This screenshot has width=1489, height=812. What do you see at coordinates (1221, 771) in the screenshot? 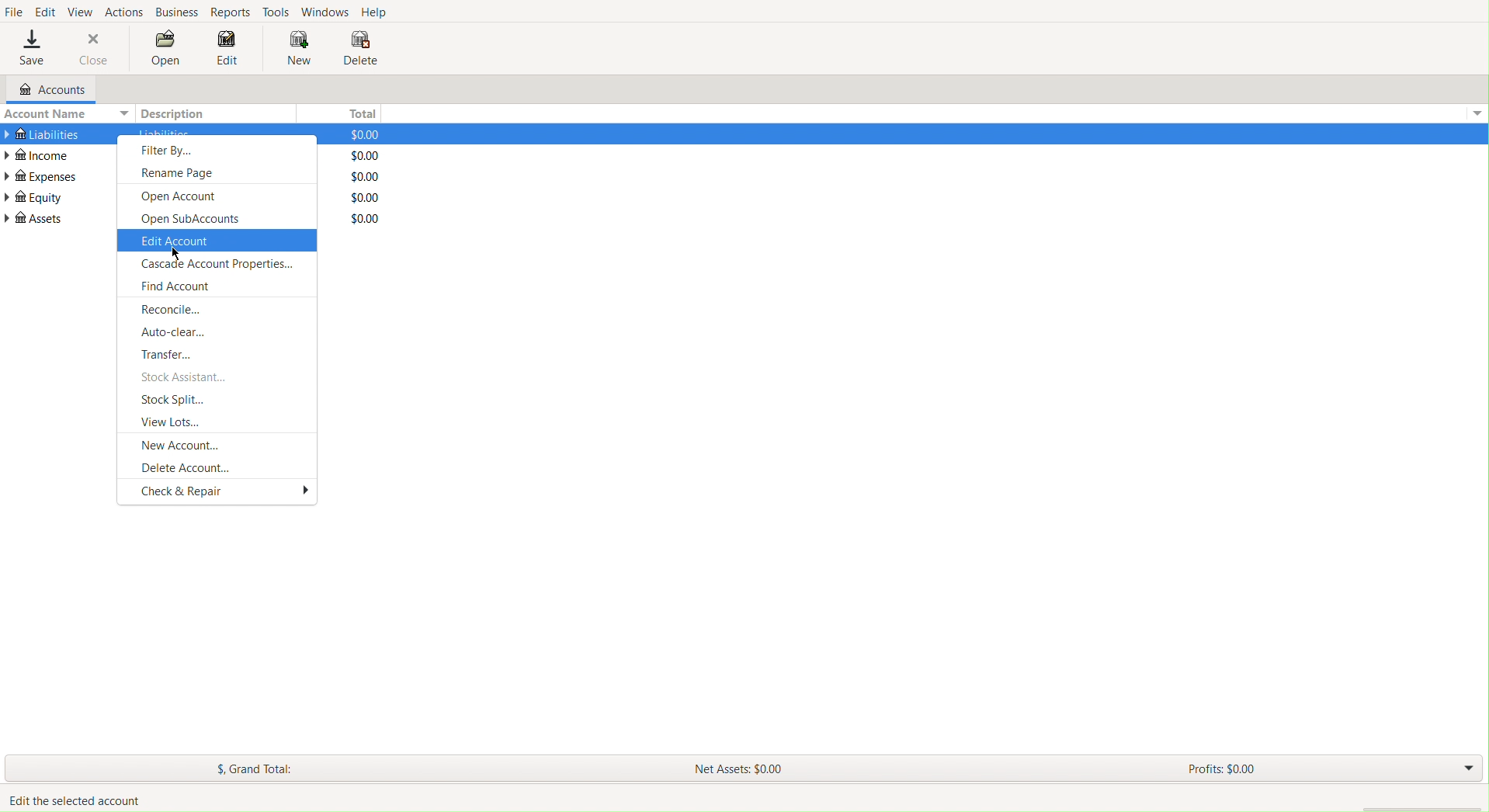
I see `Profits` at bounding box center [1221, 771].